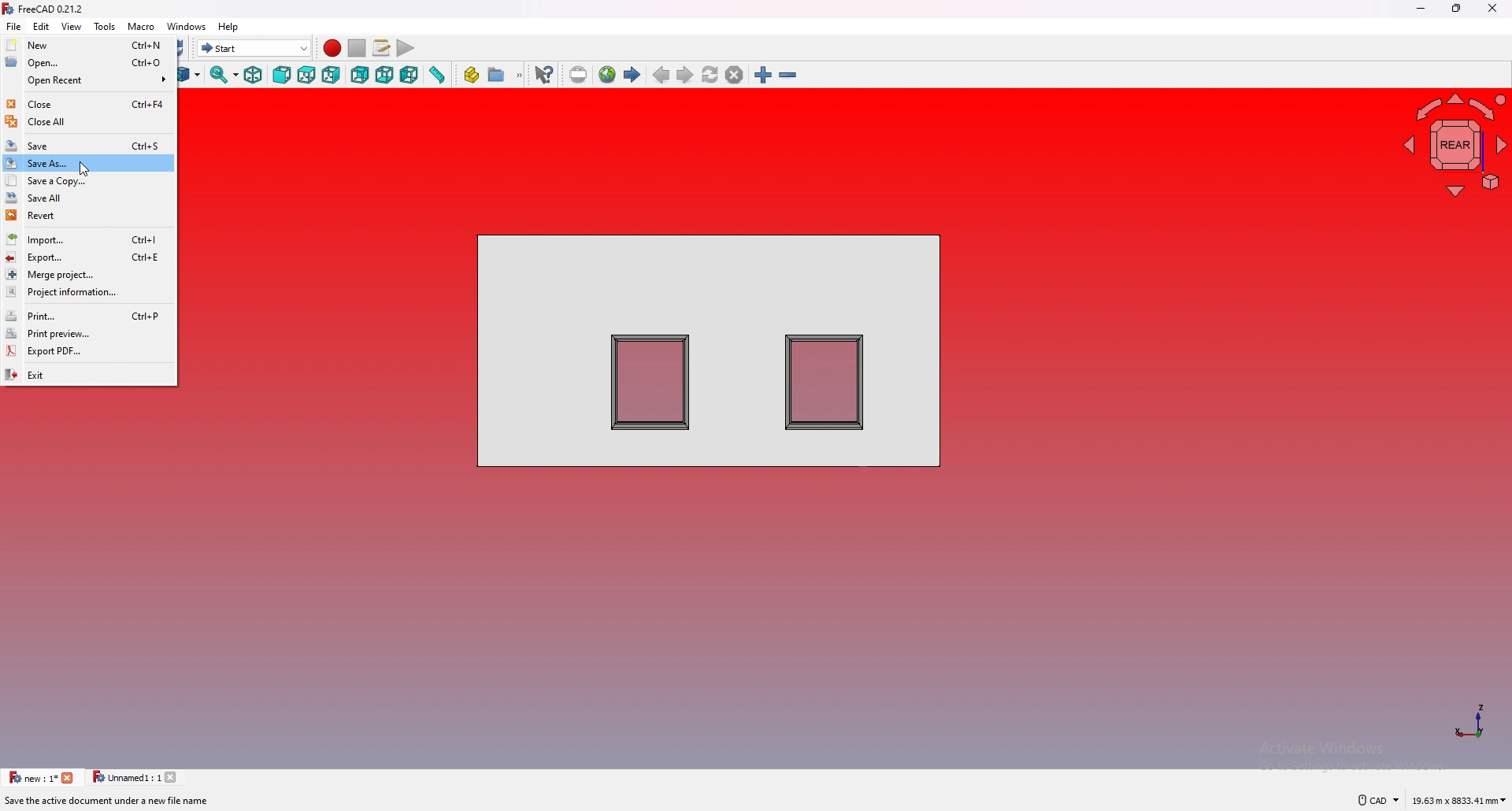 The width and height of the screenshot is (1512, 811). What do you see at coordinates (88, 316) in the screenshot?
I see `print` at bounding box center [88, 316].